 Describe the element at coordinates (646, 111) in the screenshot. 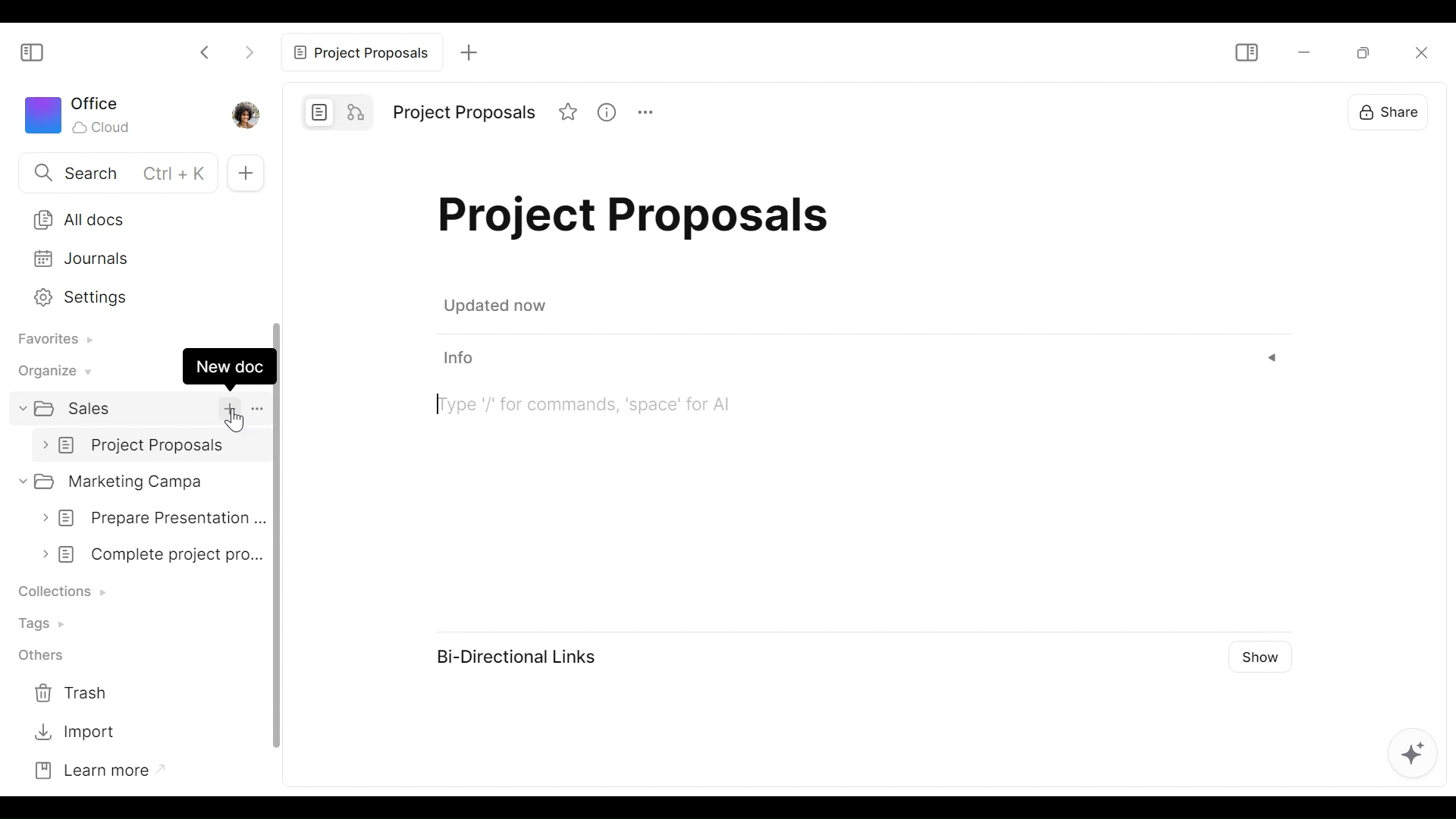

I see `more options` at that location.